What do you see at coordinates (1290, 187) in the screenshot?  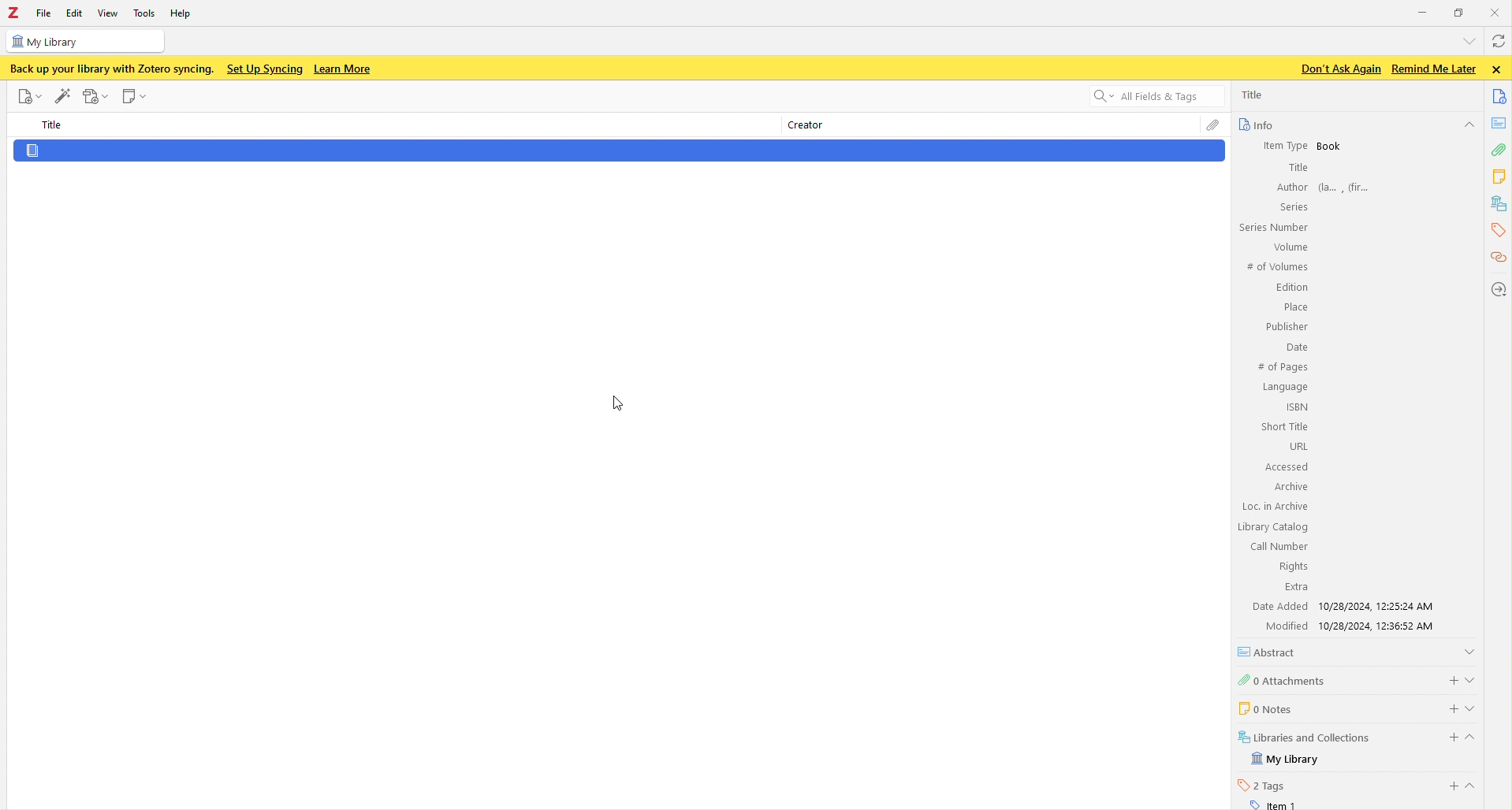 I see `Author` at bounding box center [1290, 187].